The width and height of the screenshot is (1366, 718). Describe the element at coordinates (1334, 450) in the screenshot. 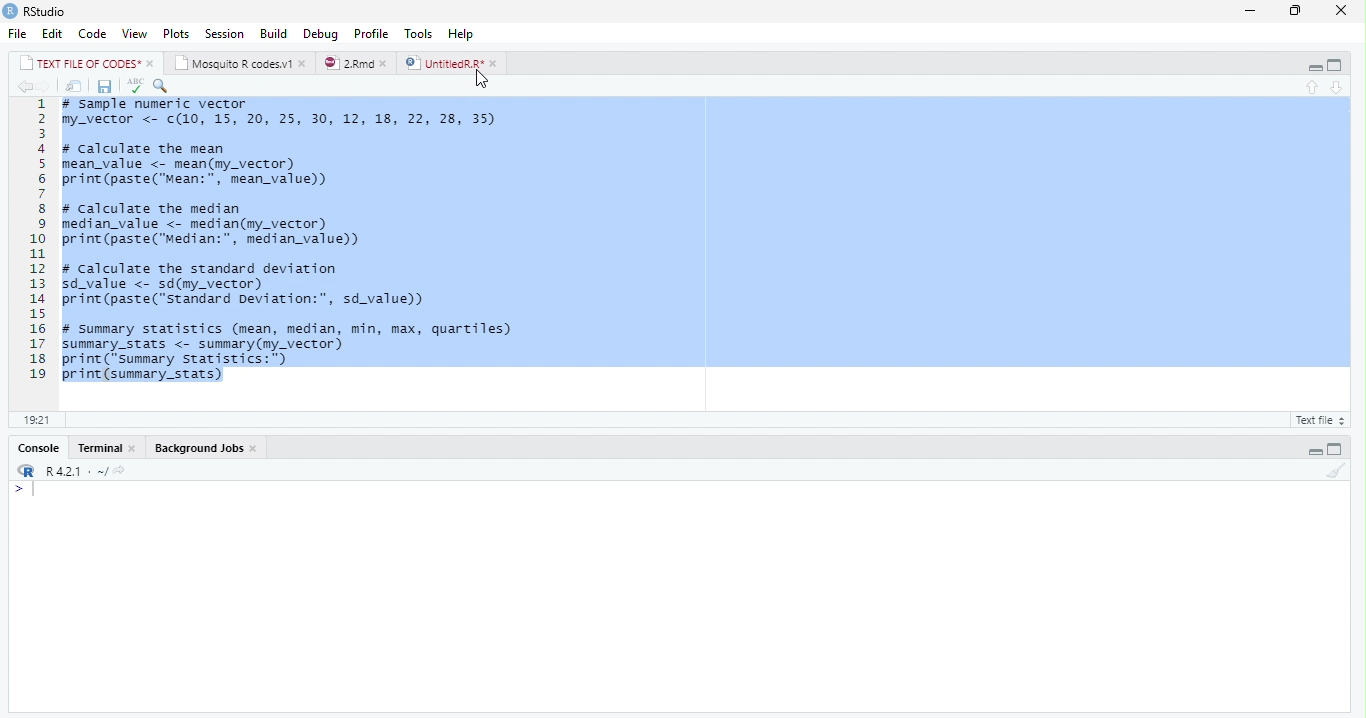

I see `maximize` at that location.